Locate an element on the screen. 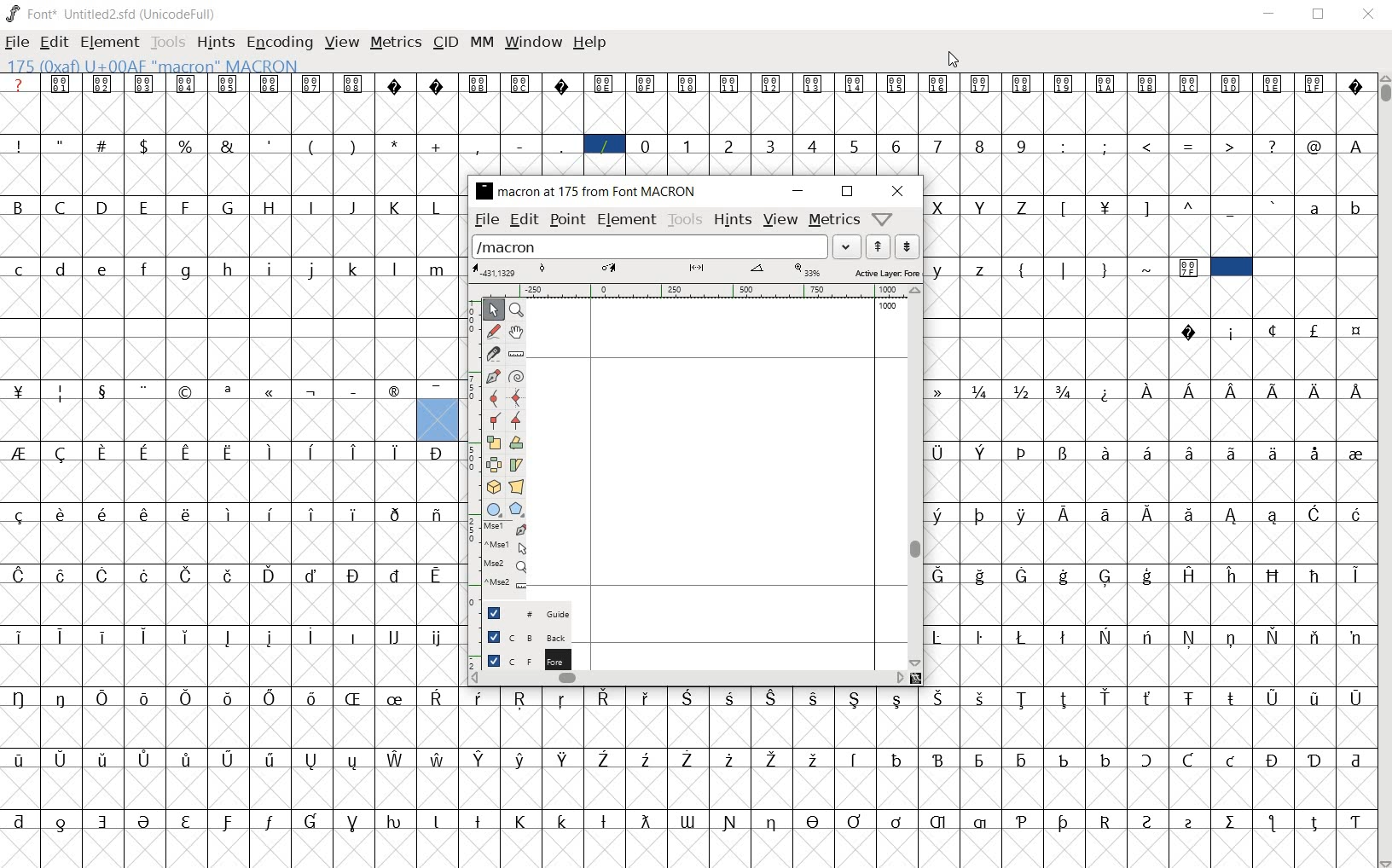 The height and width of the screenshot is (868, 1392). Symbol is located at coordinates (1146, 637).